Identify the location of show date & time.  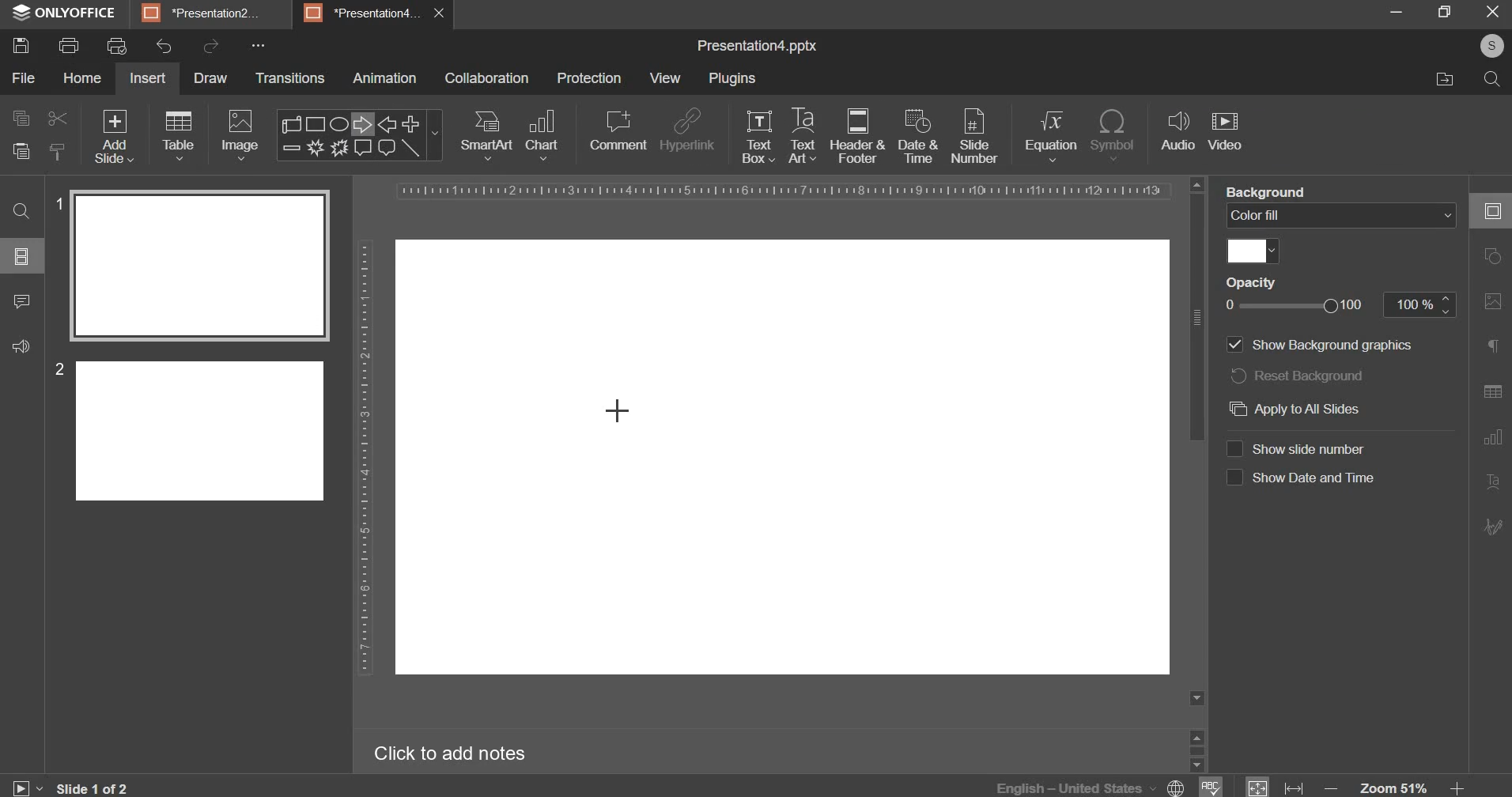
(1234, 479).